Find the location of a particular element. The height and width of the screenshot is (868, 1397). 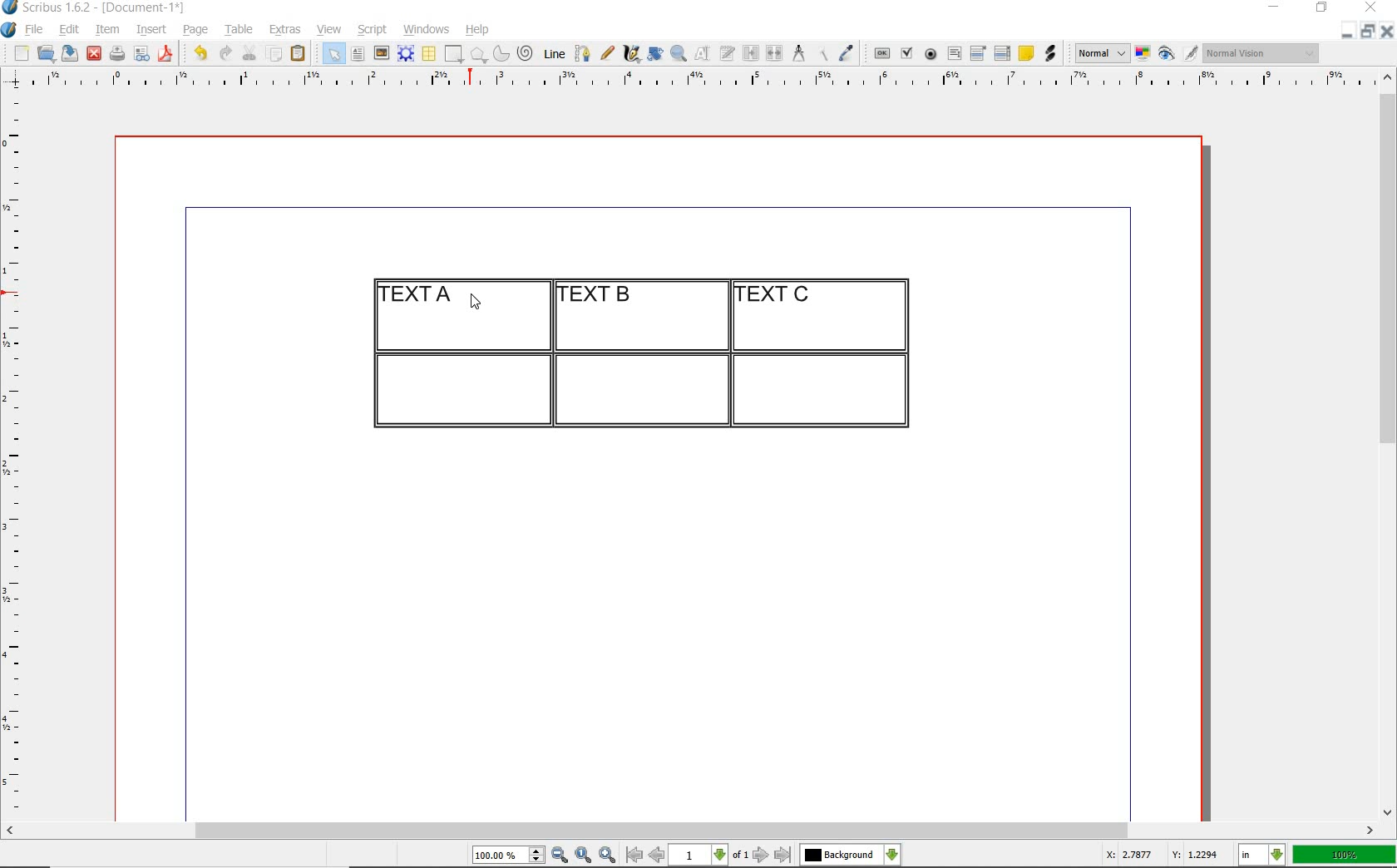

render frame is located at coordinates (406, 54).